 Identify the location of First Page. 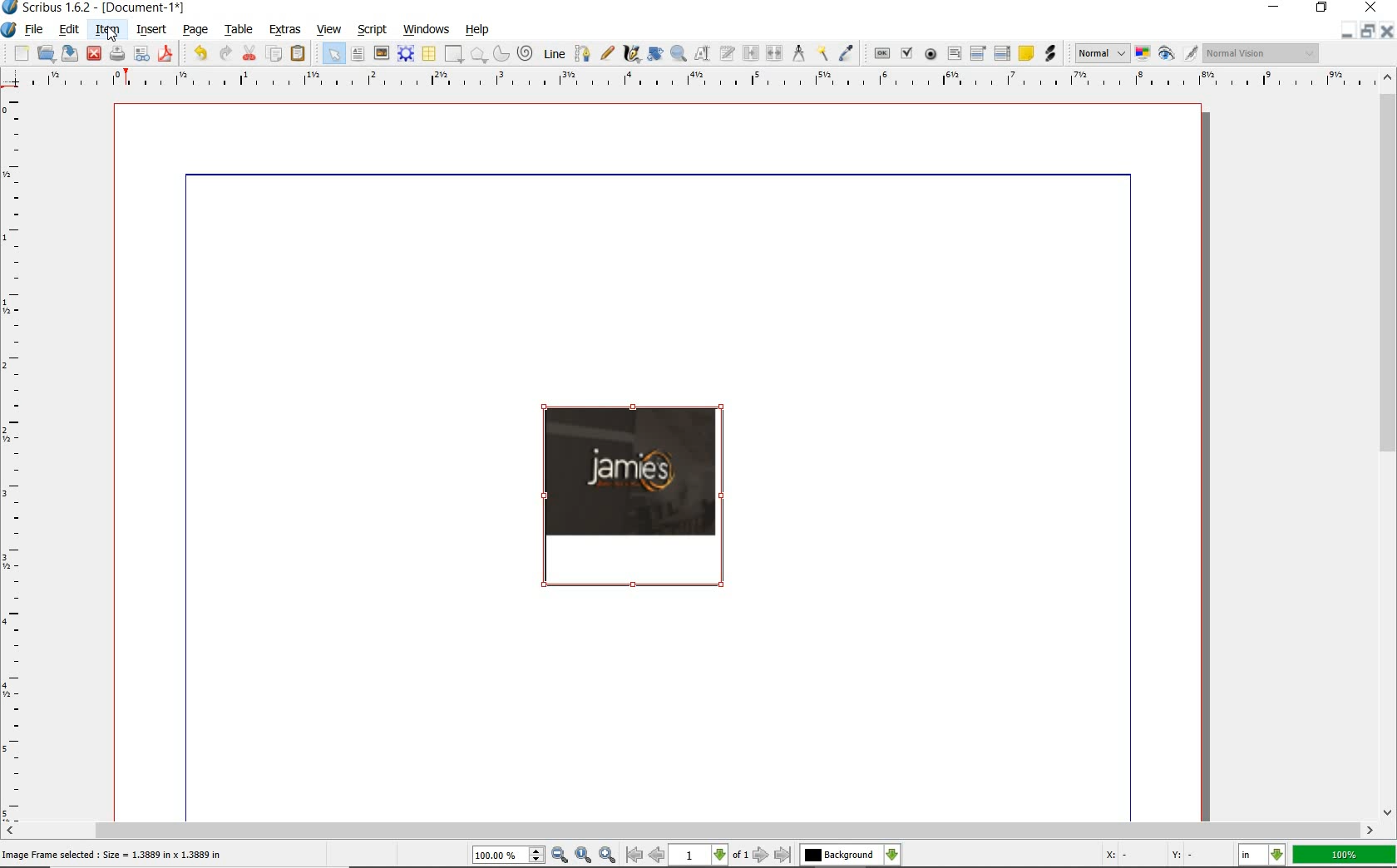
(634, 856).